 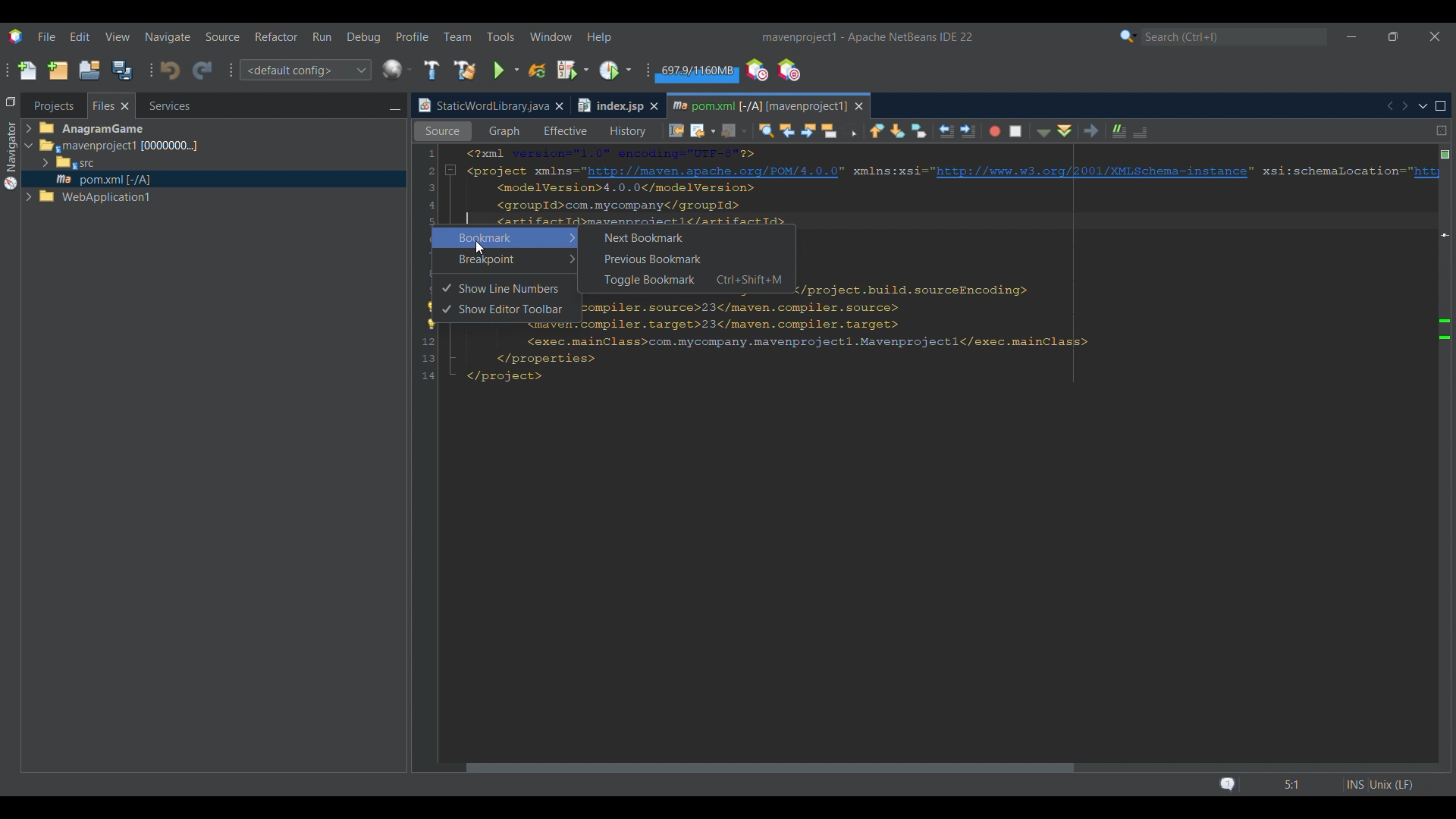 What do you see at coordinates (431, 70) in the screenshot?
I see `Build main project` at bounding box center [431, 70].